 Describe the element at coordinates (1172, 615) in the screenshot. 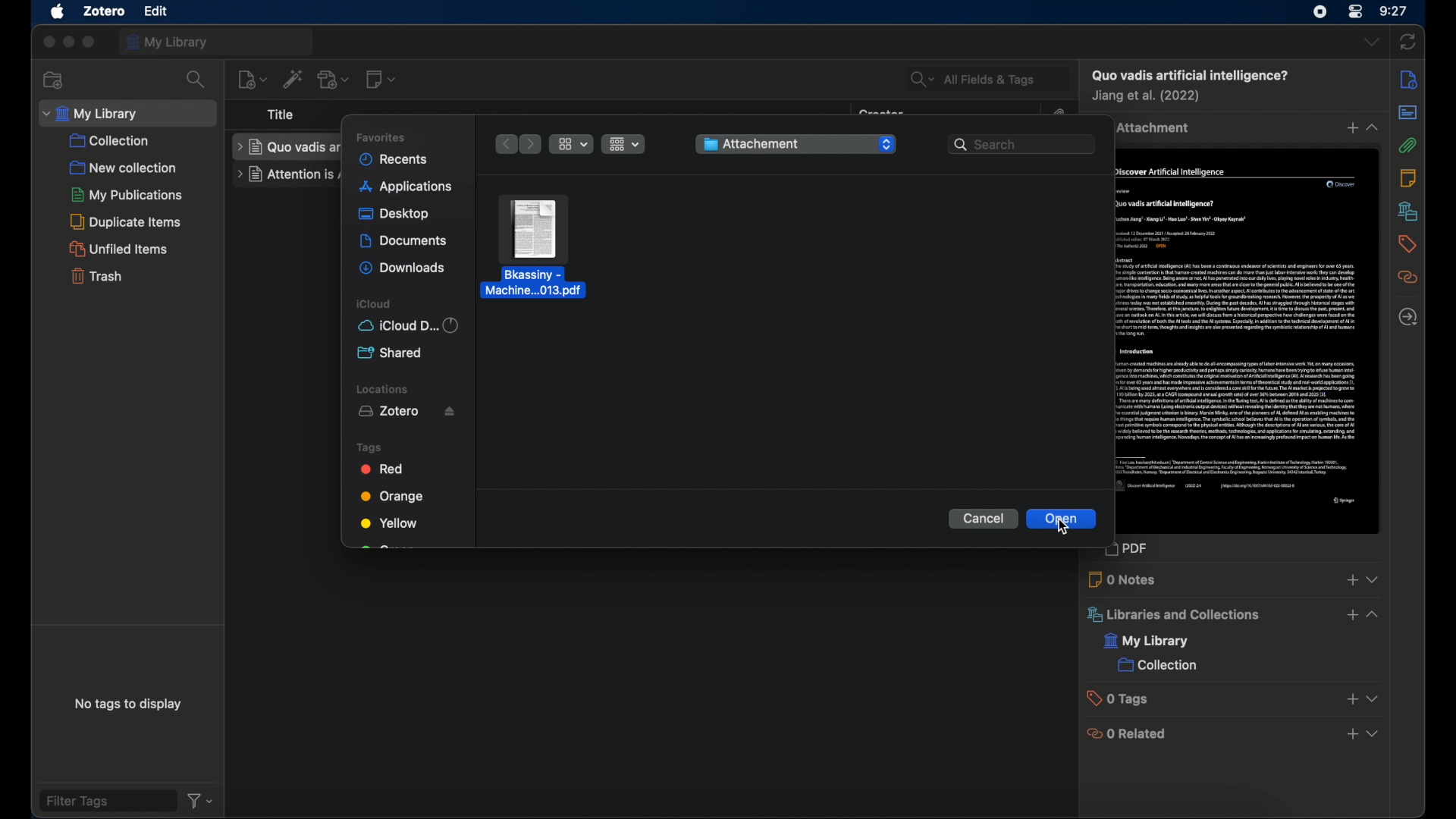

I see `libraries and collections` at that location.